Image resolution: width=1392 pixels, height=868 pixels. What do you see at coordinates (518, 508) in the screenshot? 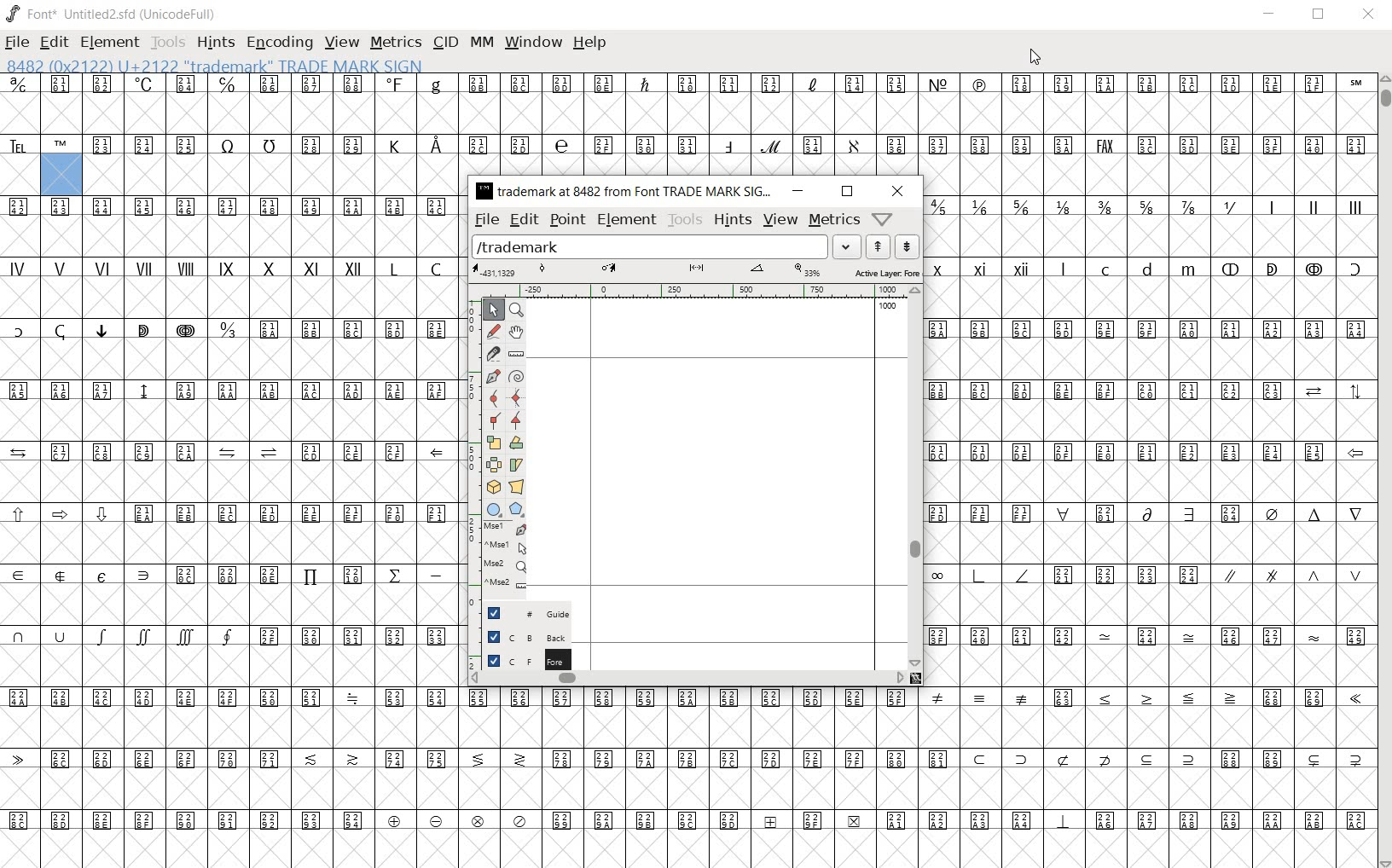
I see `polygon or star` at bounding box center [518, 508].